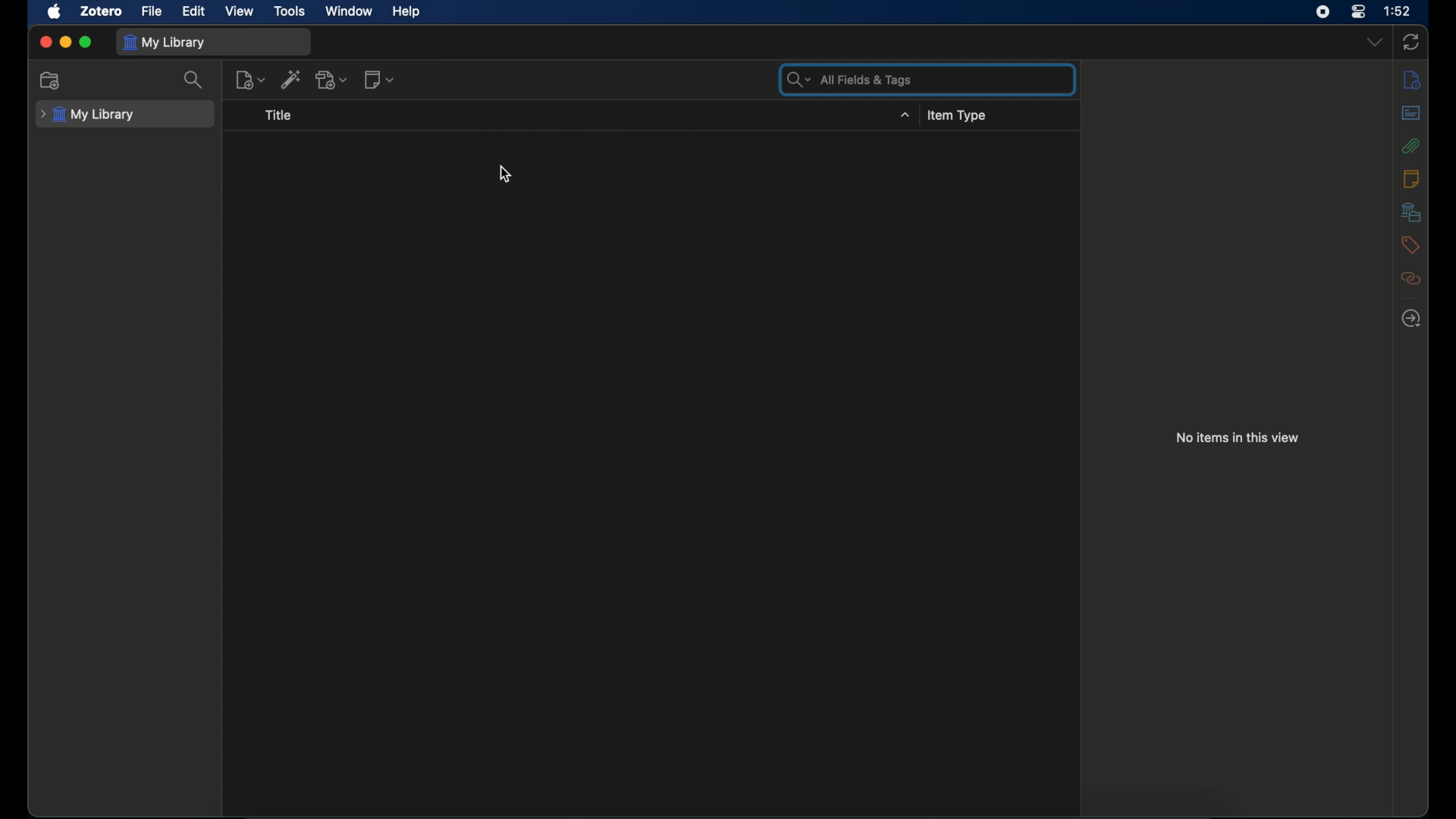 The height and width of the screenshot is (819, 1456). What do you see at coordinates (250, 80) in the screenshot?
I see `new item` at bounding box center [250, 80].